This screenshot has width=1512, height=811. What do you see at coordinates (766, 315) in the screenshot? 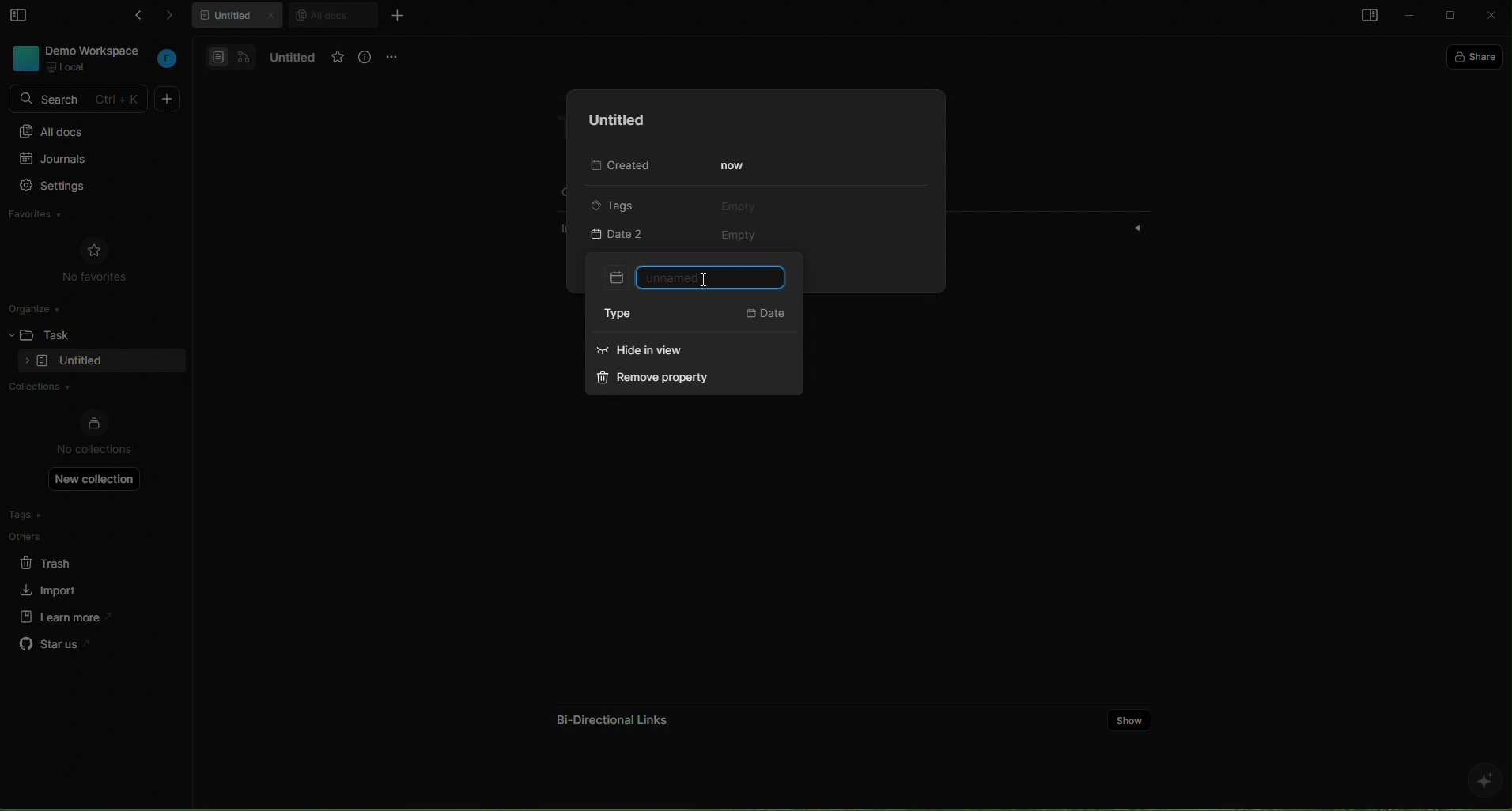
I see `date` at bounding box center [766, 315].